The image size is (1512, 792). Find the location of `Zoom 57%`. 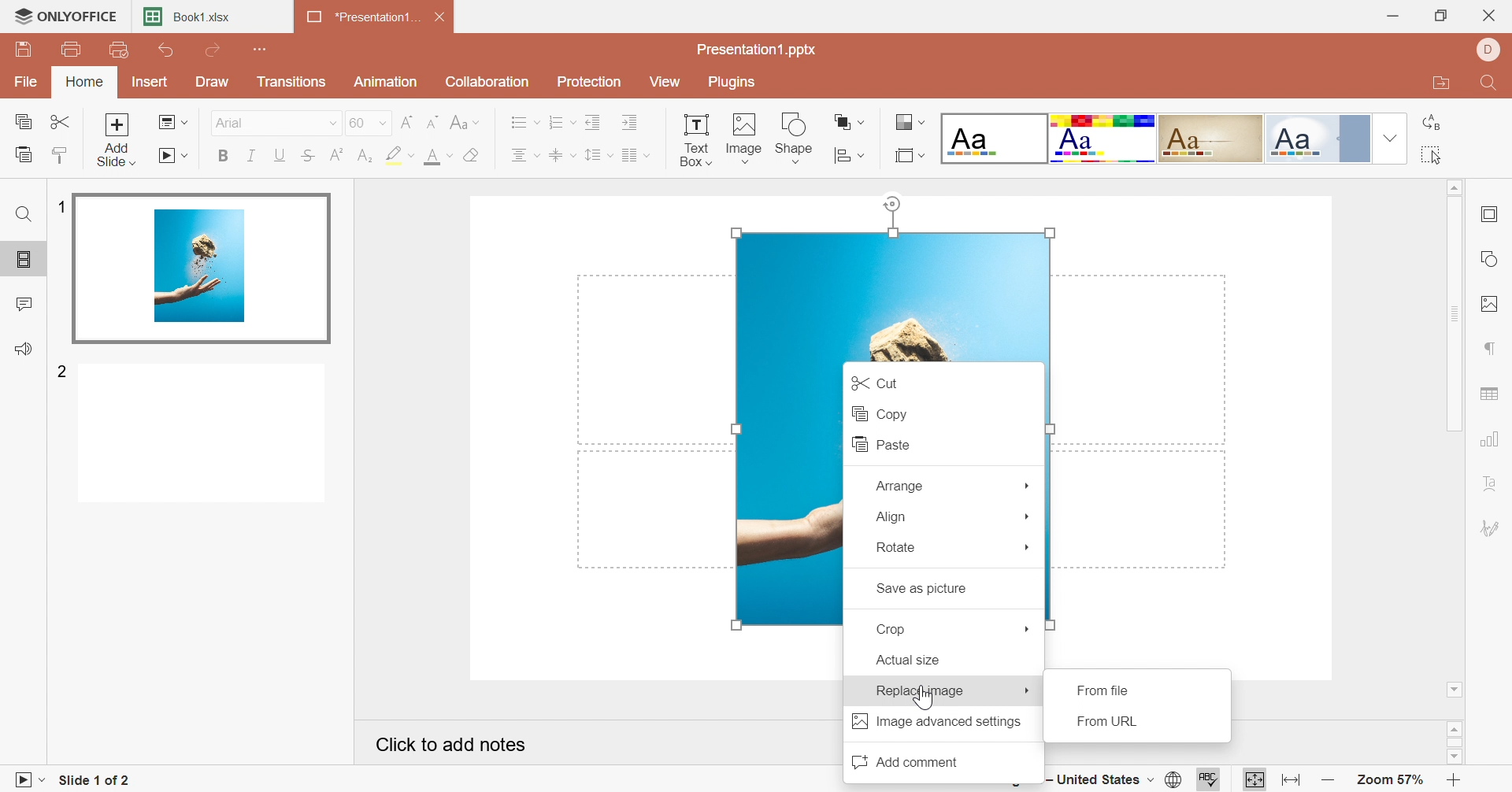

Zoom 57% is located at coordinates (1389, 780).